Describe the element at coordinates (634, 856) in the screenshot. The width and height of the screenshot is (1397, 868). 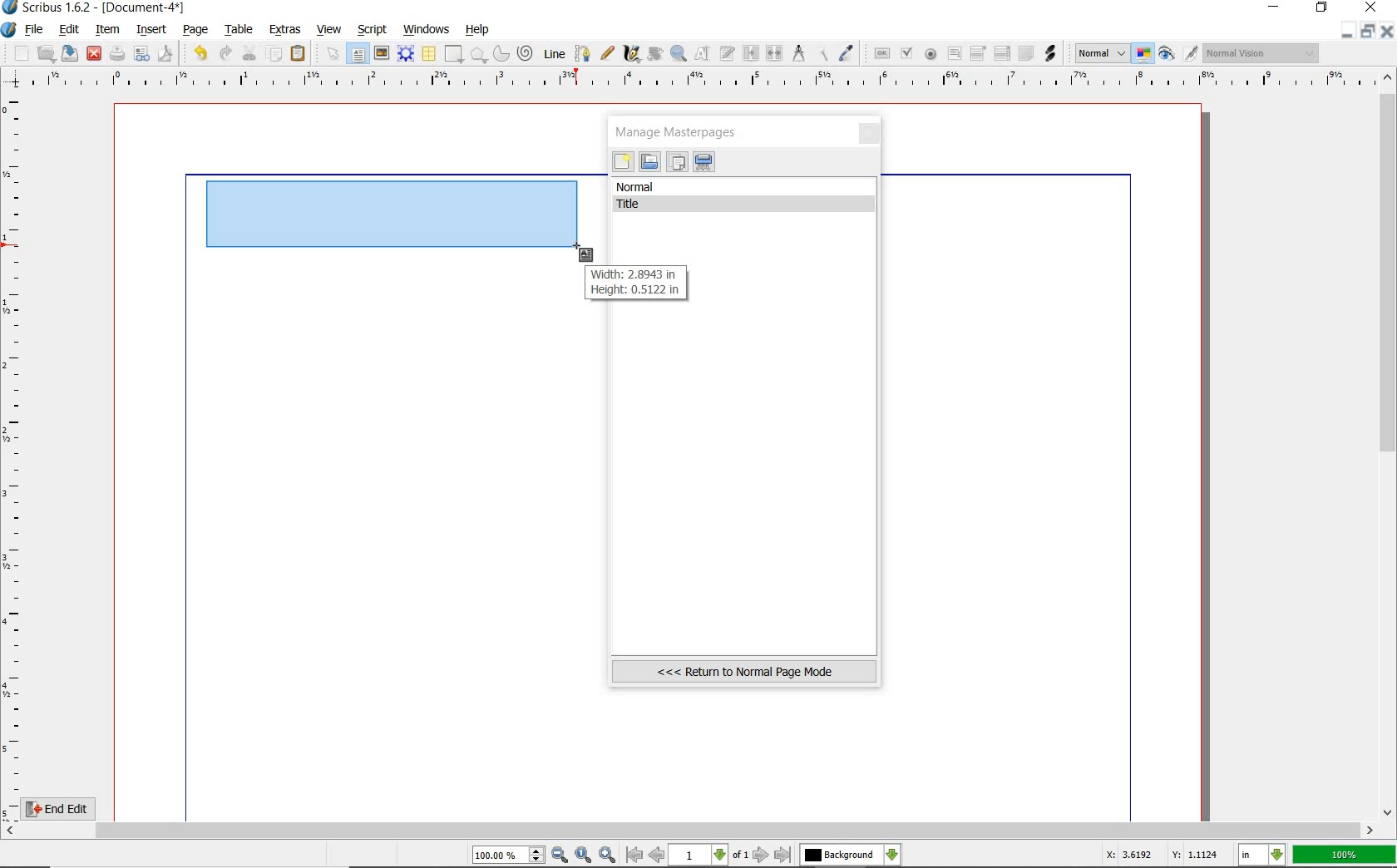
I see `go to first page` at that location.